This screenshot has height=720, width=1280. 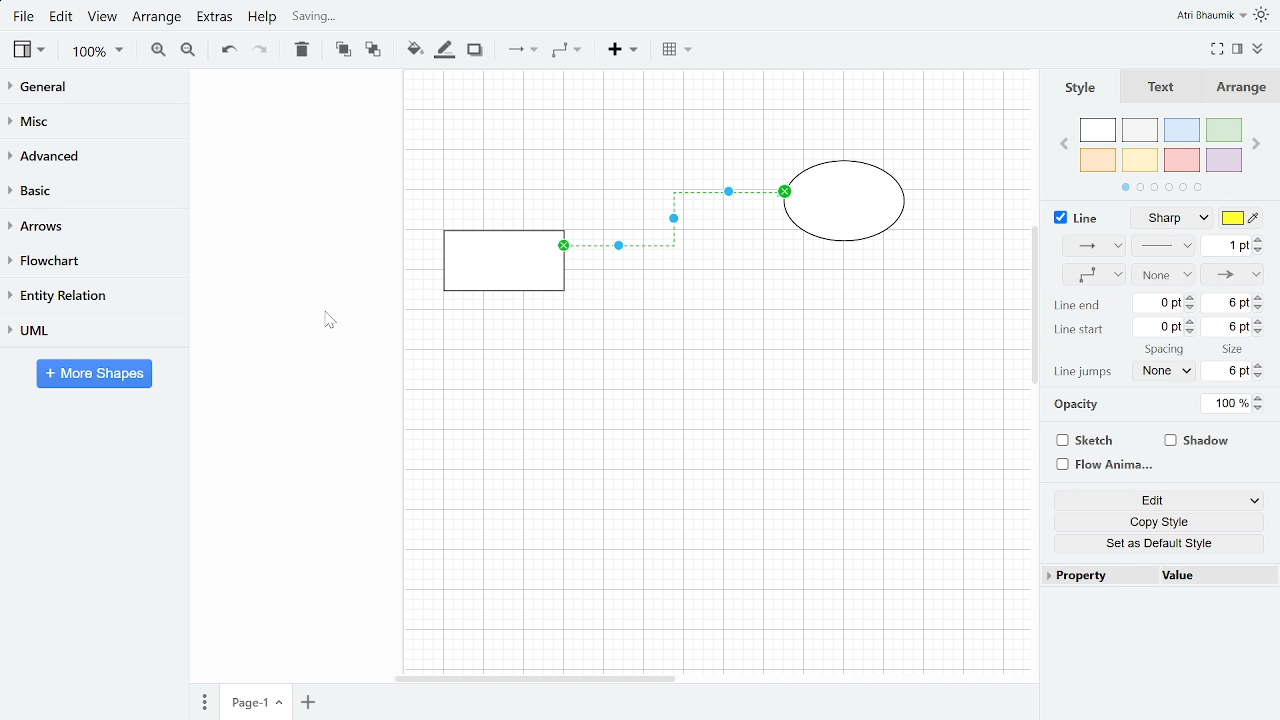 What do you see at coordinates (474, 50) in the screenshot?
I see `Shadow` at bounding box center [474, 50].